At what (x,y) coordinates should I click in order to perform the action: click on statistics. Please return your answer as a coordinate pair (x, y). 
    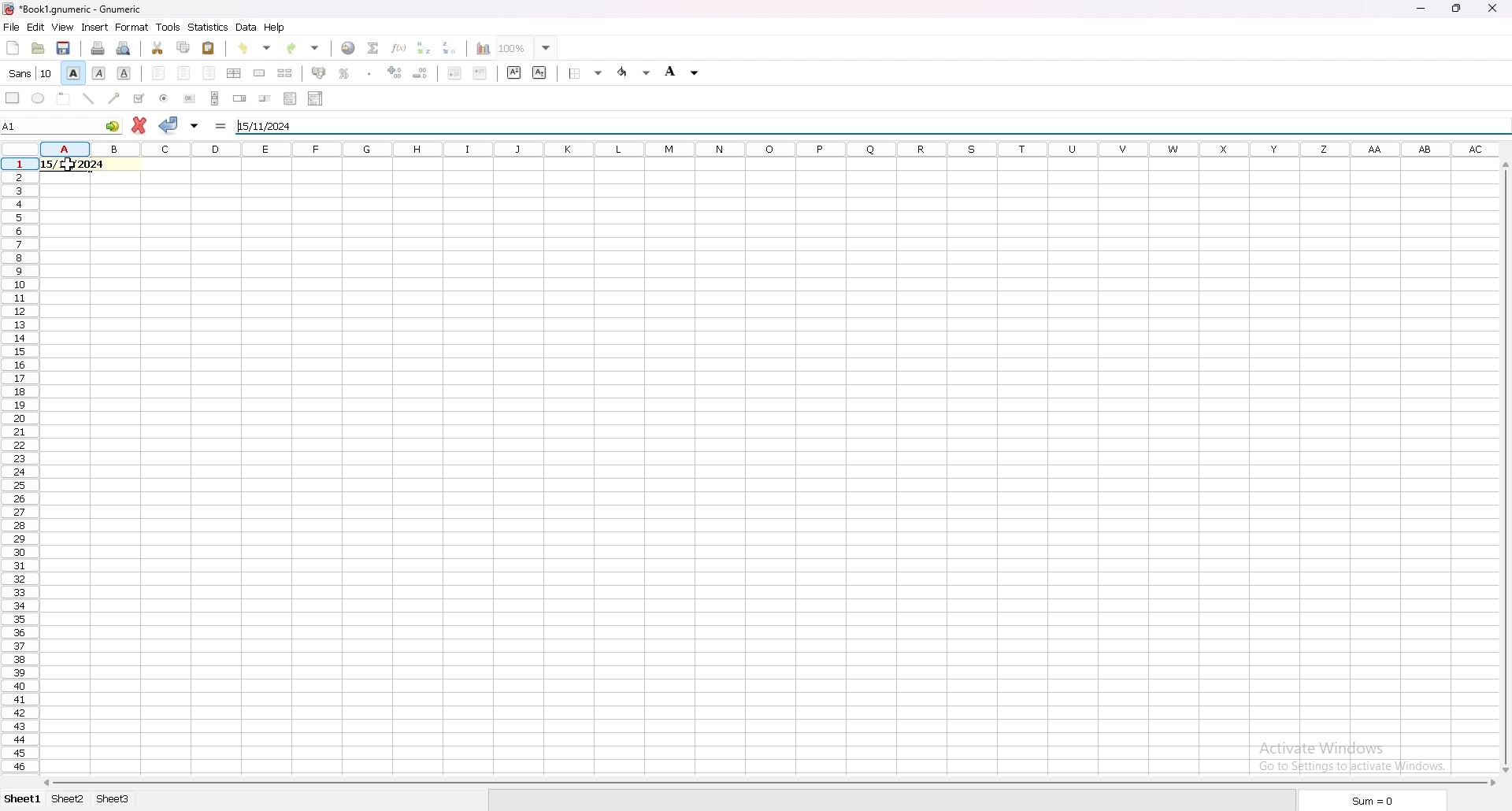
    Looking at the image, I should click on (209, 27).